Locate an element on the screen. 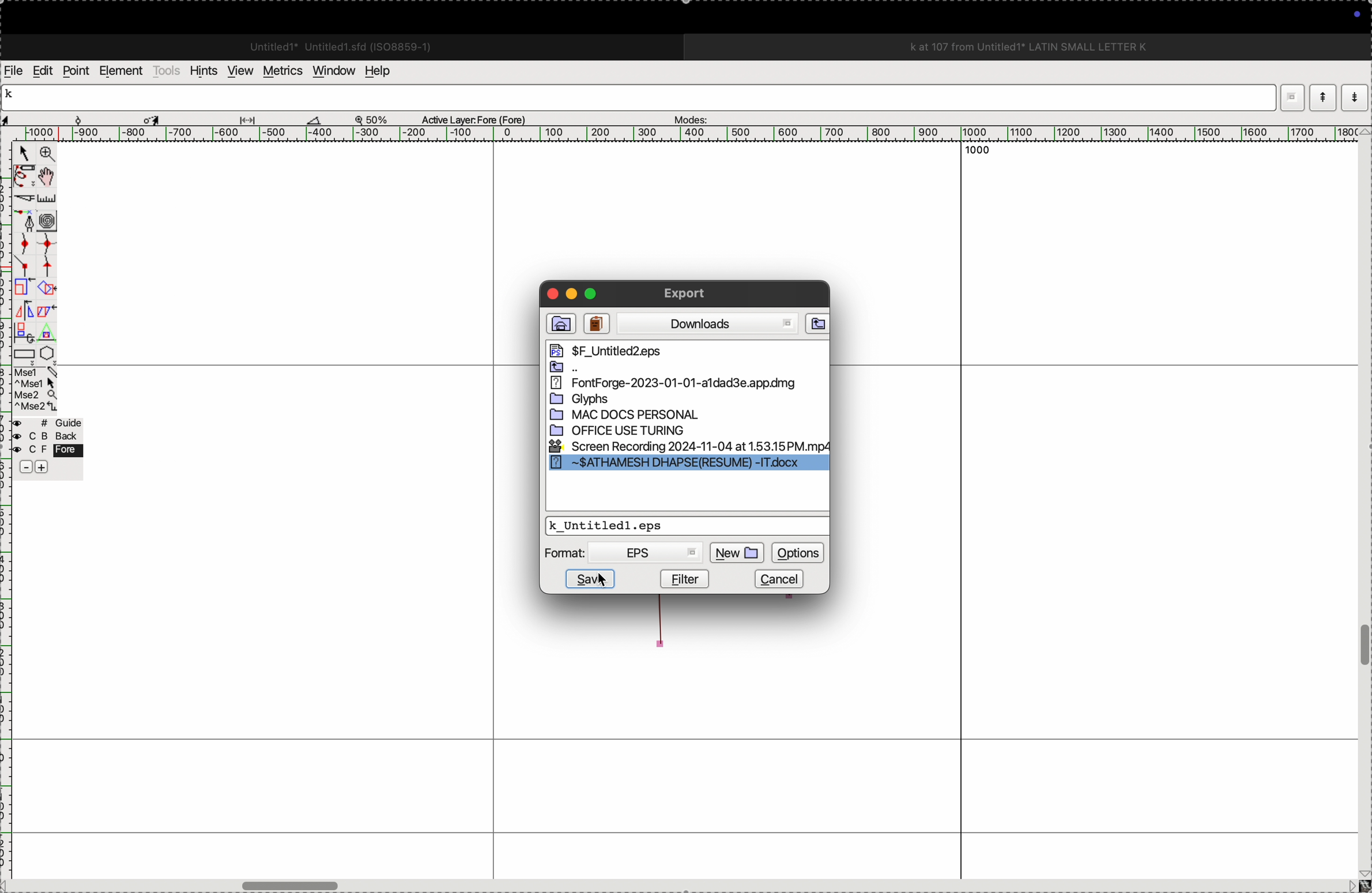  cancel is located at coordinates (787, 578).